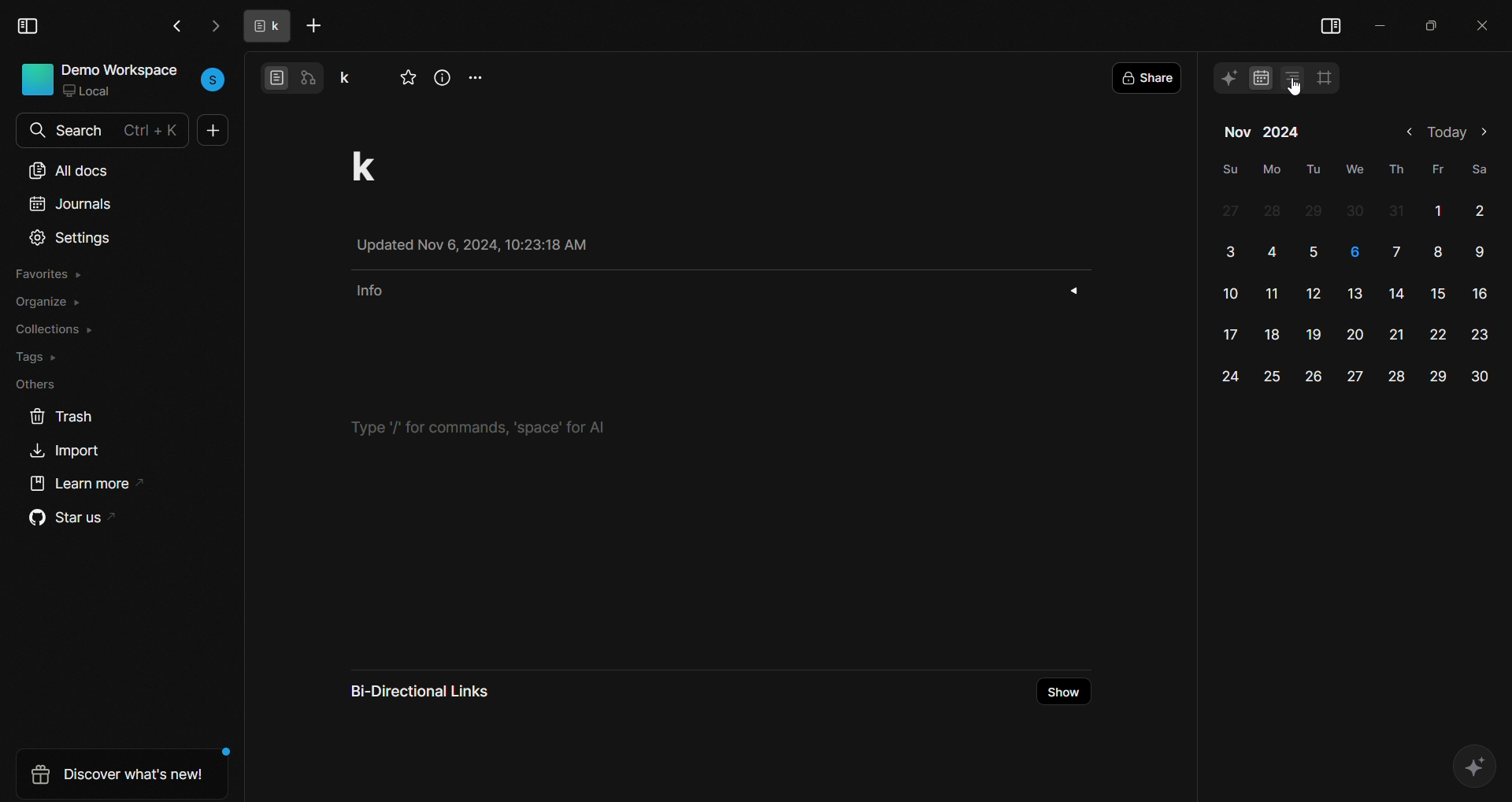 The height and width of the screenshot is (802, 1512). I want to click on settings, so click(71, 239).